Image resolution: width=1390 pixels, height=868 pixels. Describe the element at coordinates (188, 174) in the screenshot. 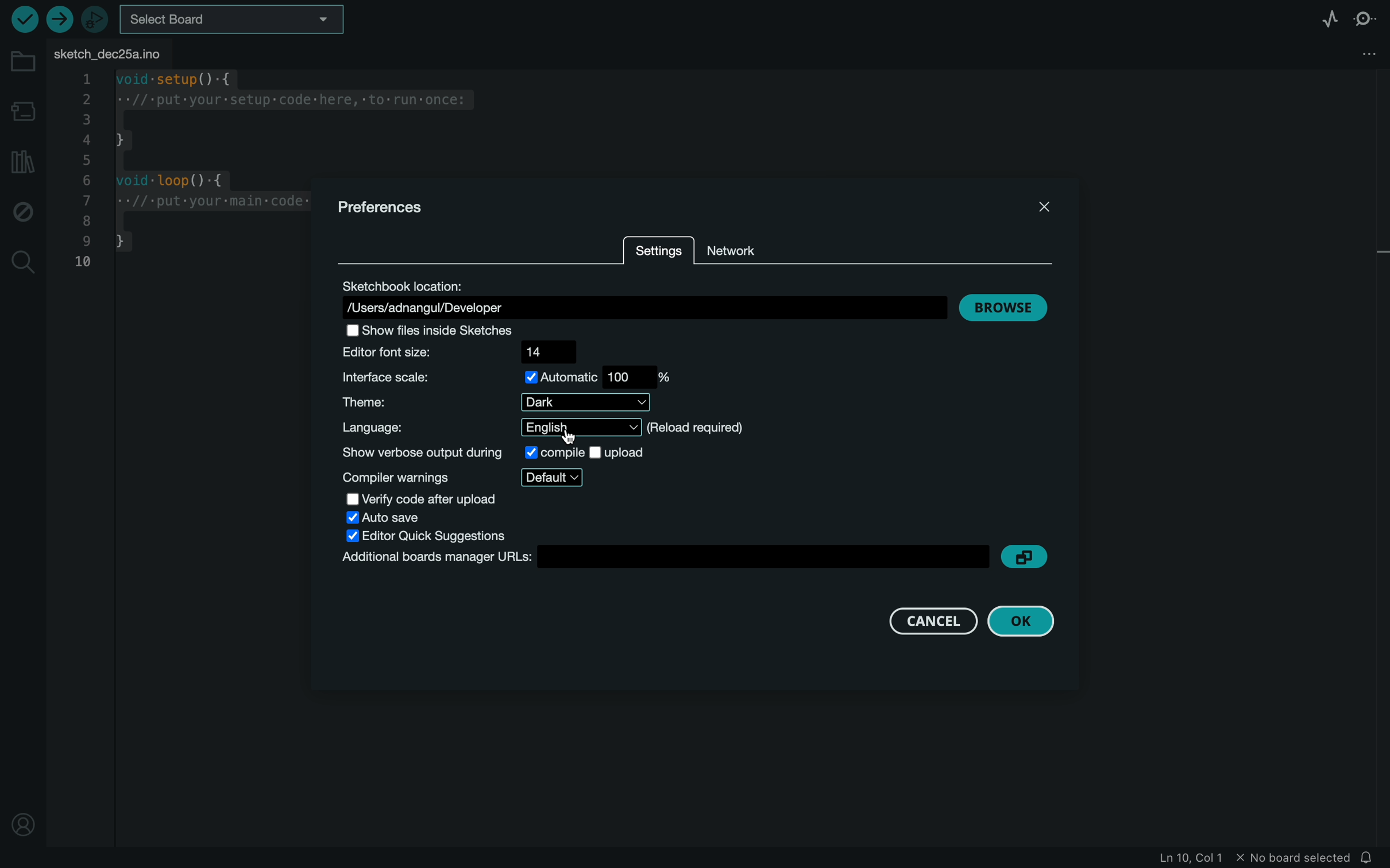

I see `code` at that location.